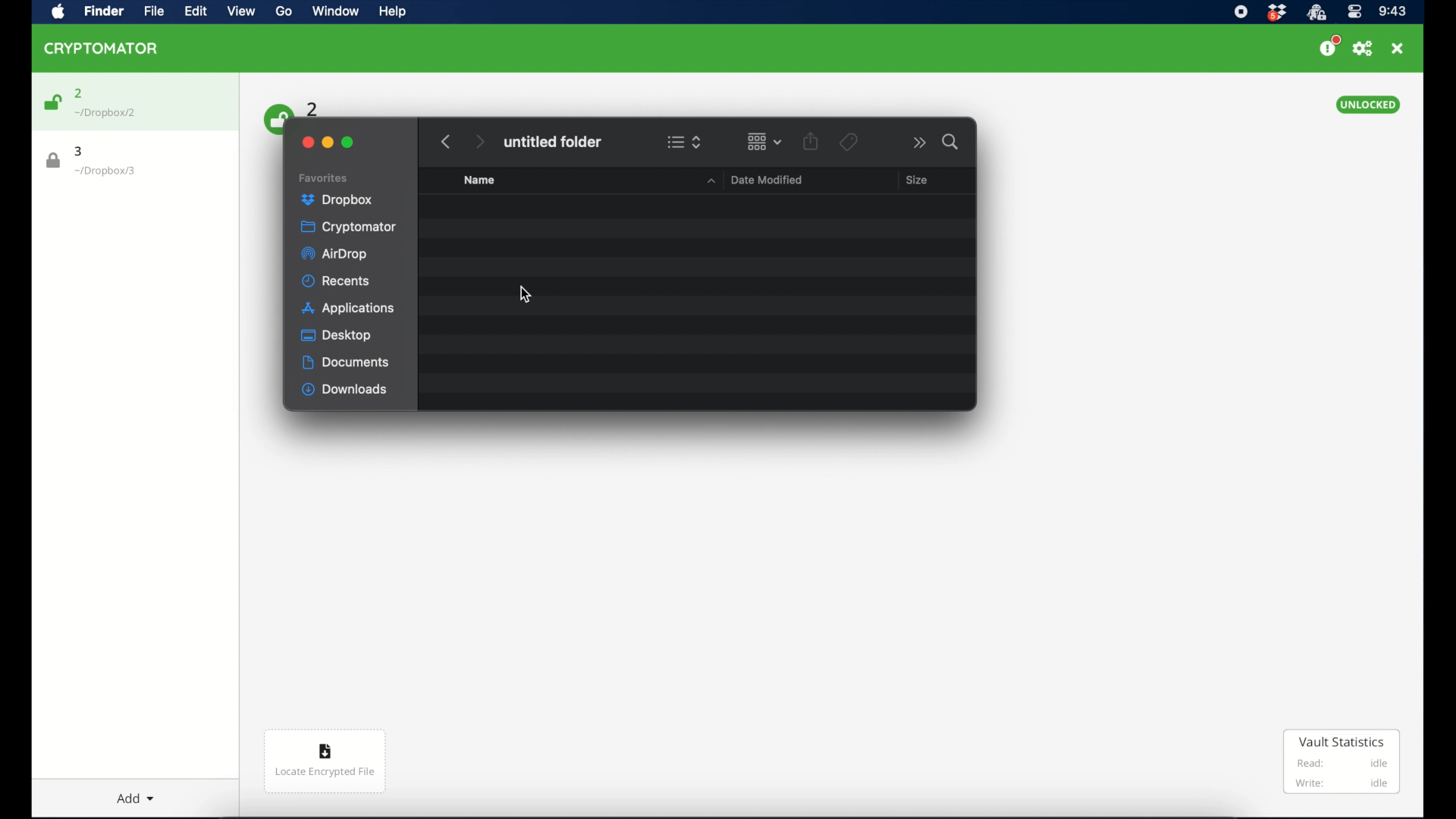 The height and width of the screenshot is (819, 1456). I want to click on desktop, so click(337, 335).